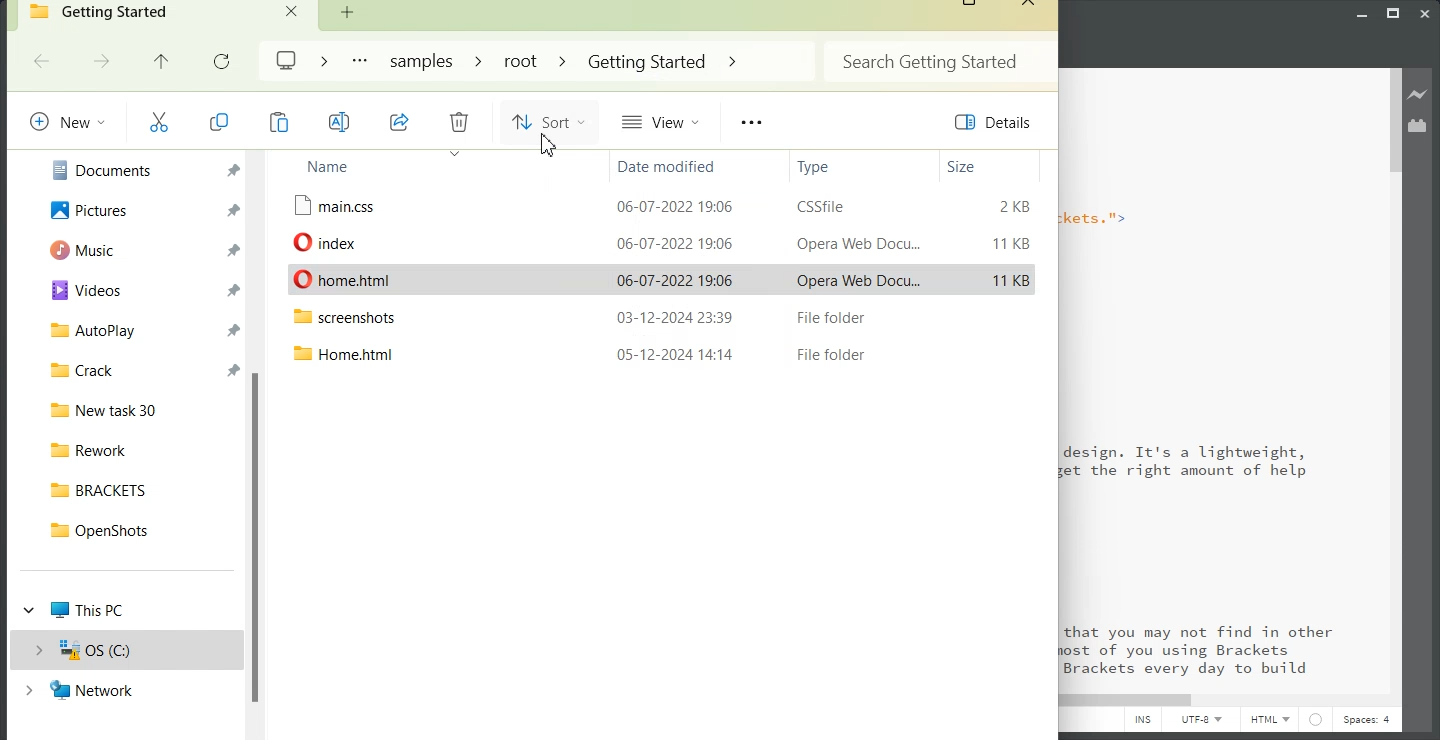 Image resolution: width=1440 pixels, height=740 pixels. What do you see at coordinates (224, 60) in the screenshot?
I see `Refresh` at bounding box center [224, 60].